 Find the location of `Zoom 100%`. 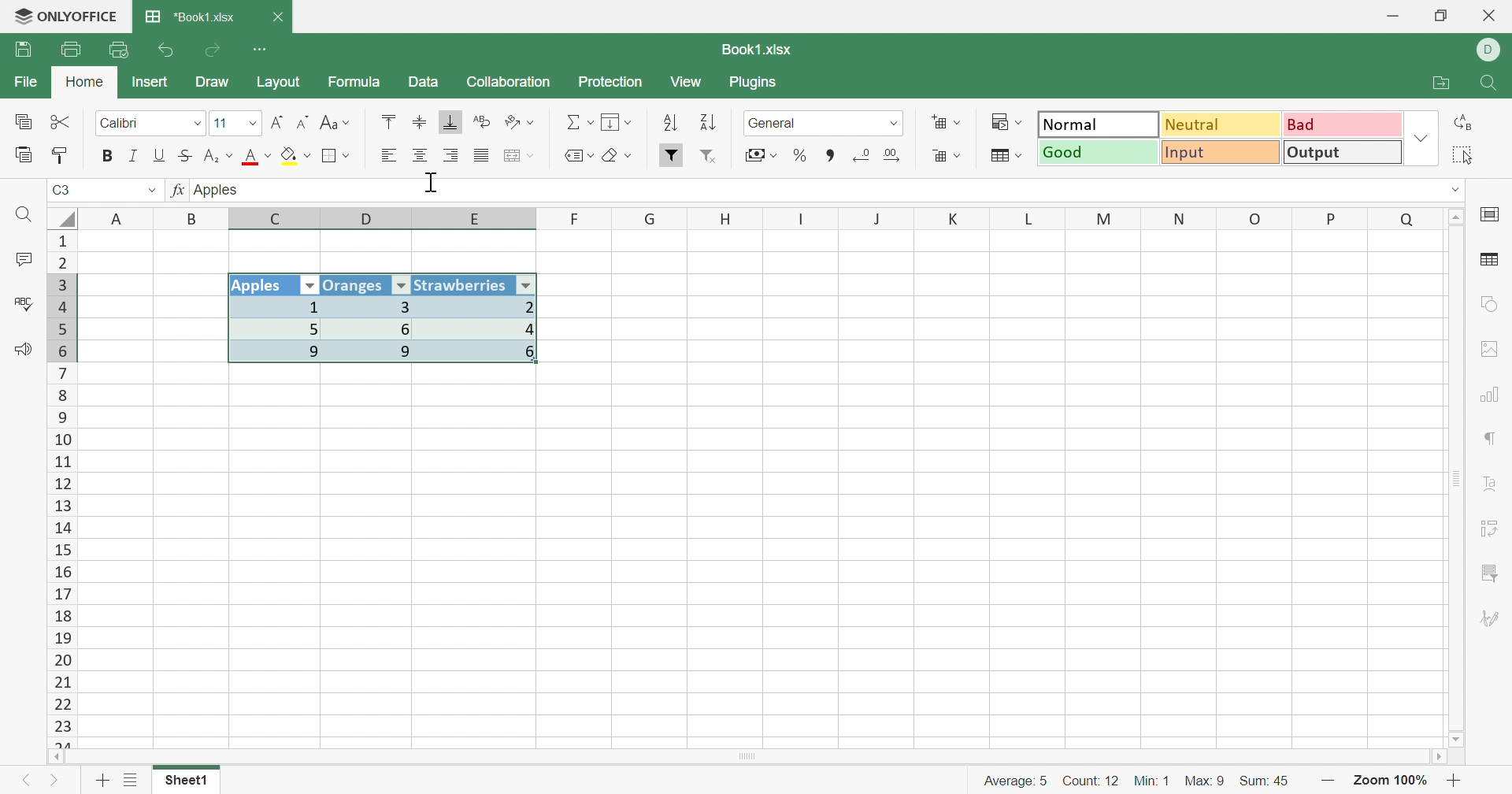

Zoom 100% is located at coordinates (1391, 780).